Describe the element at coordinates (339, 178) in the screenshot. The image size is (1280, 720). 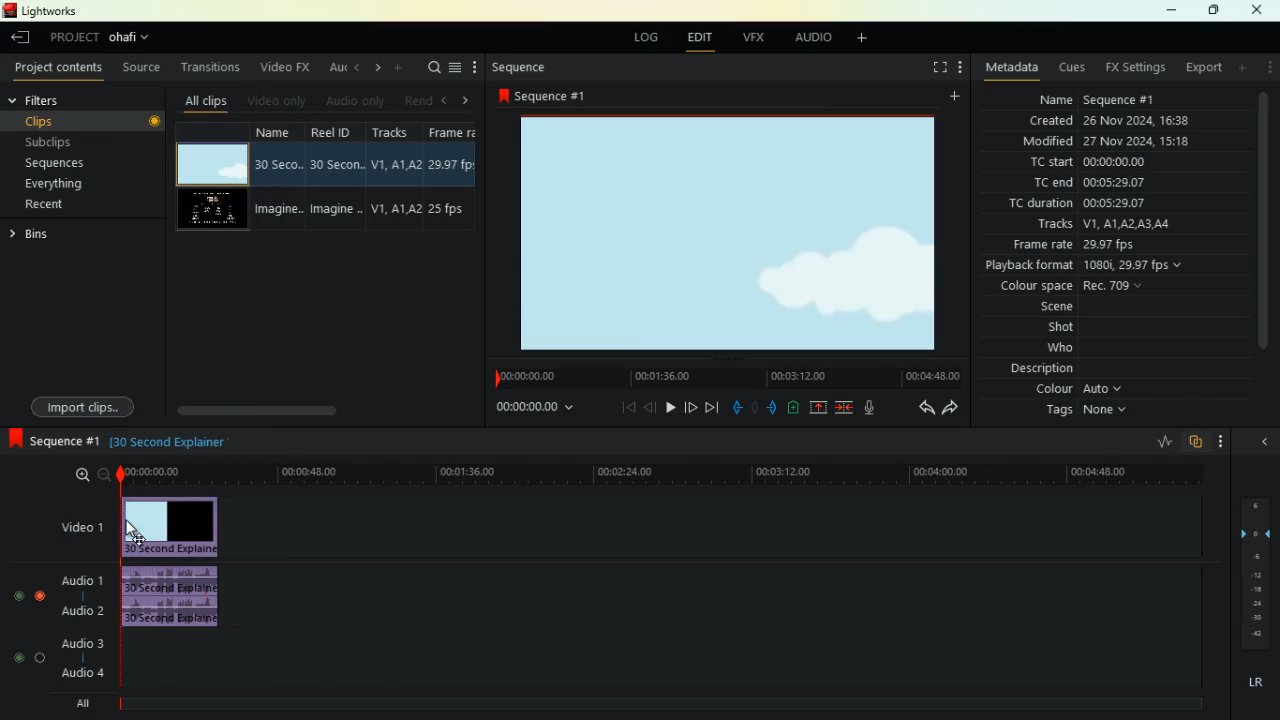
I see `reel id` at that location.